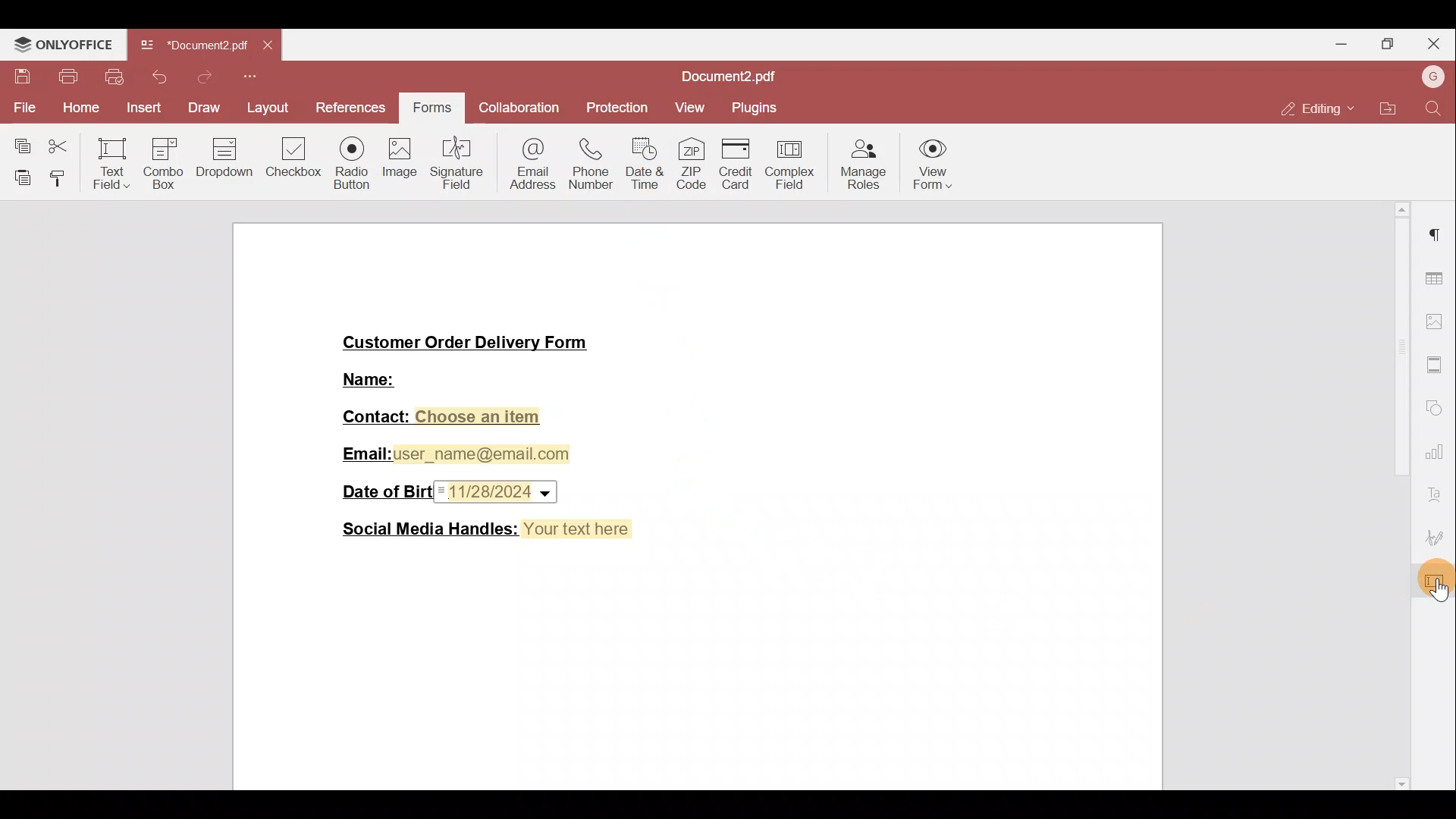 This screenshot has height=819, width=1456. What do you see at coordinates (489, 530) in the screenshot?
I see `Social Media Handles: Your text here` at bounding box center [489, 530].